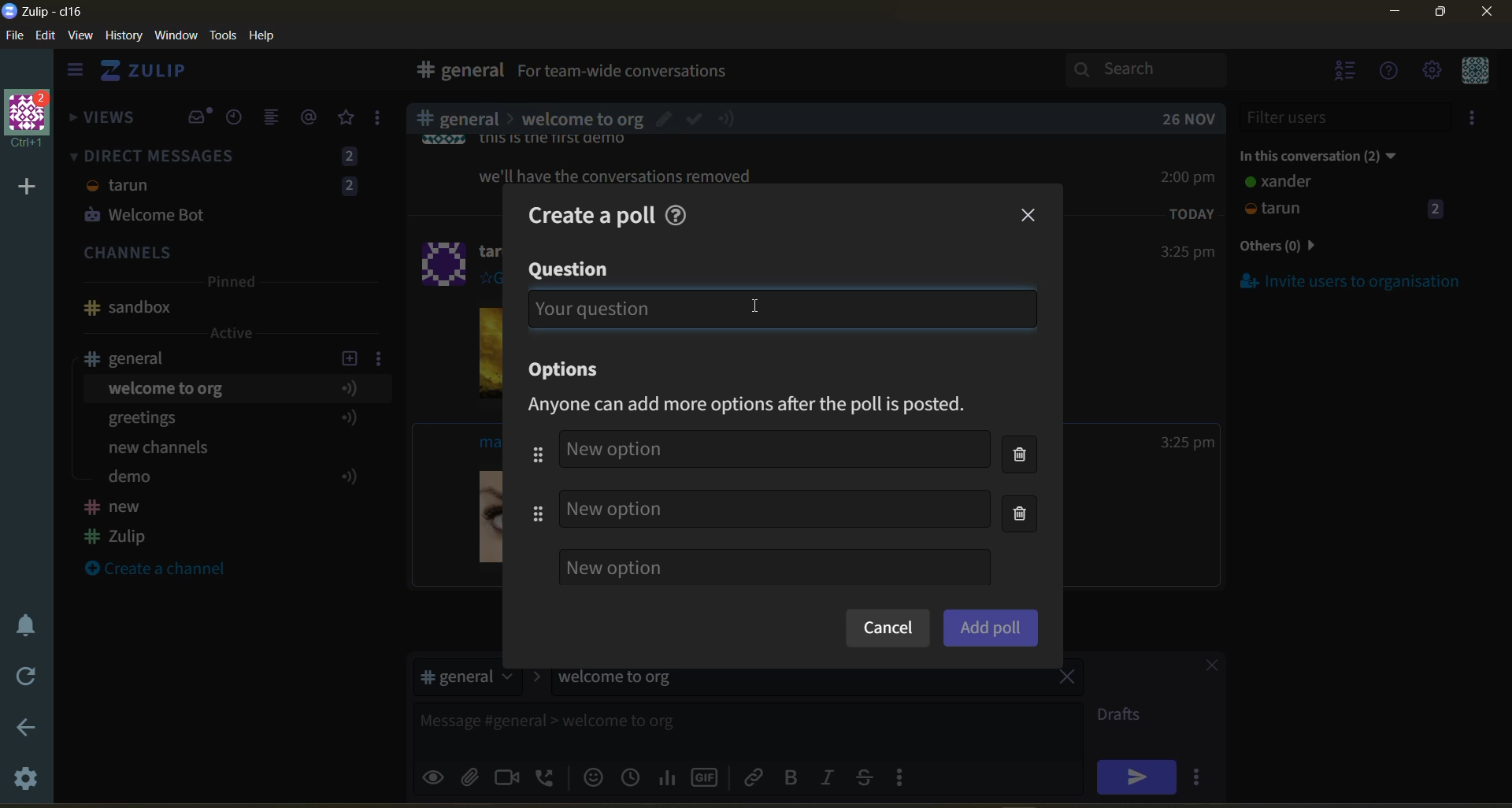 Image resolution: width=1512 pixels, height=808 pixels. Describe the element at coordinates (1488, 17) in the screenshot. I see `close` at that location.